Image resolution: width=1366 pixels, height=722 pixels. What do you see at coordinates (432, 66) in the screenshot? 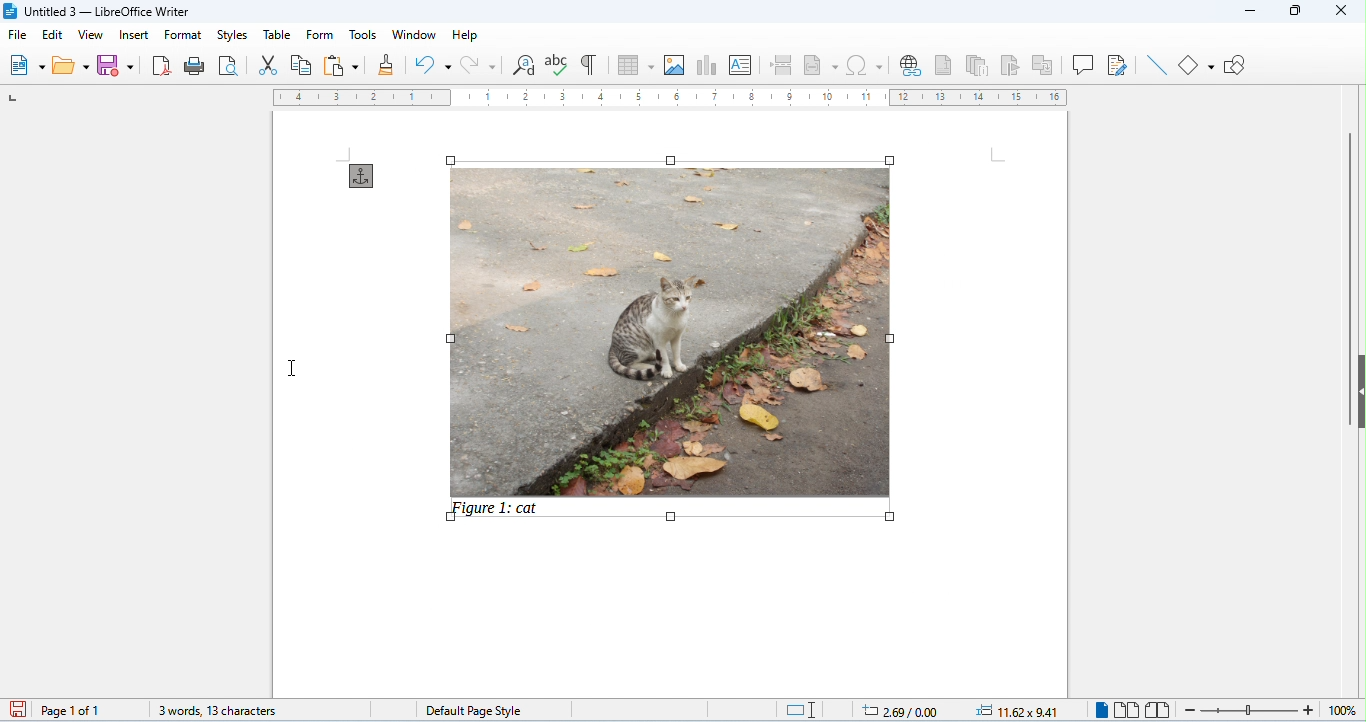
I see `undo` at bounding box center [432, 66].